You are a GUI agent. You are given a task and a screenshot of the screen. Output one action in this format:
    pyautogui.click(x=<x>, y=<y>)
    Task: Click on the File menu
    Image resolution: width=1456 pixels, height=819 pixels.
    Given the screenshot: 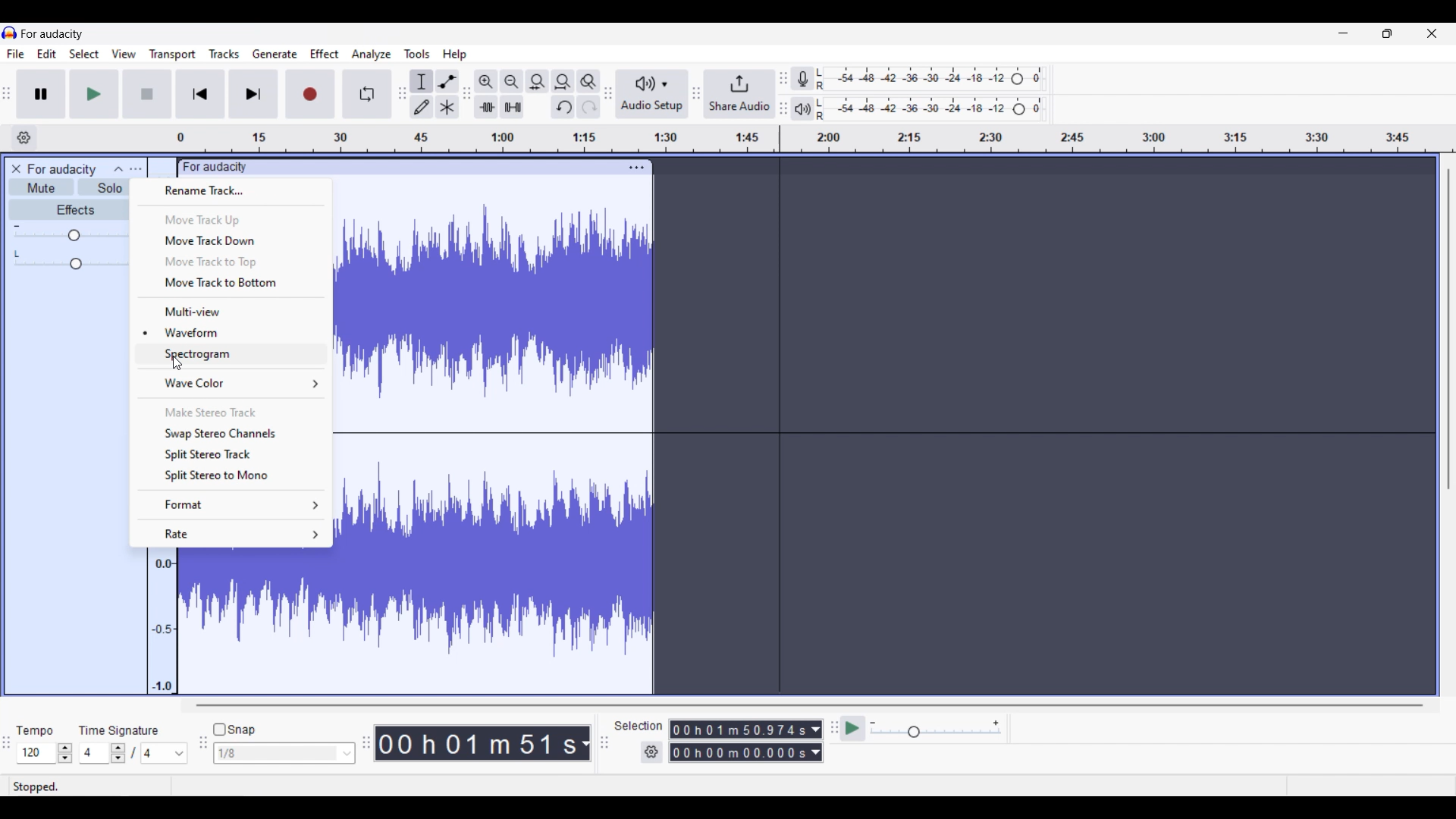 What is the action you would take?
    pyautogui.click(x=16, y=54)
    